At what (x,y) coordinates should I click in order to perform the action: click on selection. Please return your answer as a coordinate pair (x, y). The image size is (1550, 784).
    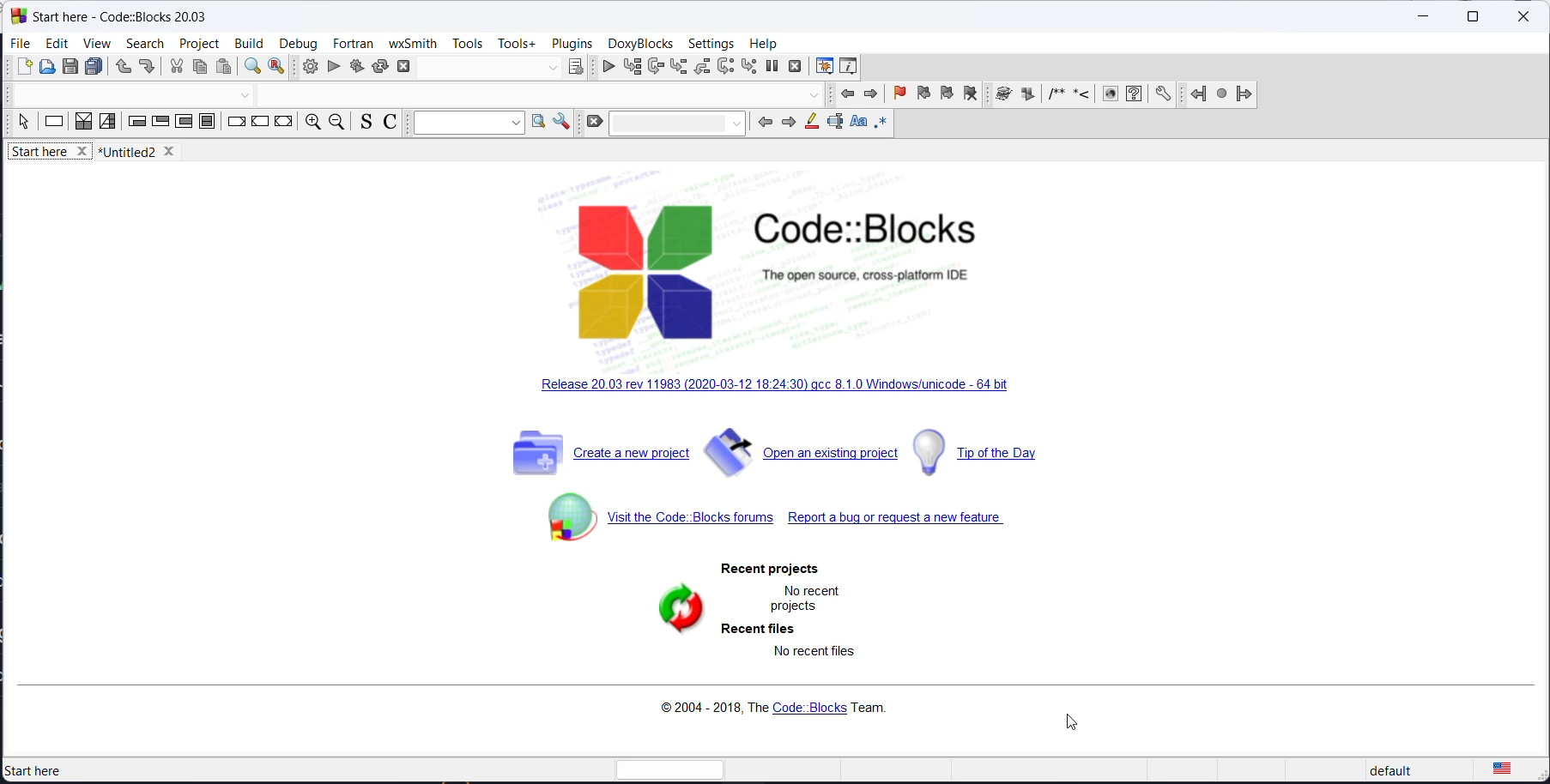
    Looking at the image, I should click on (108, 123).